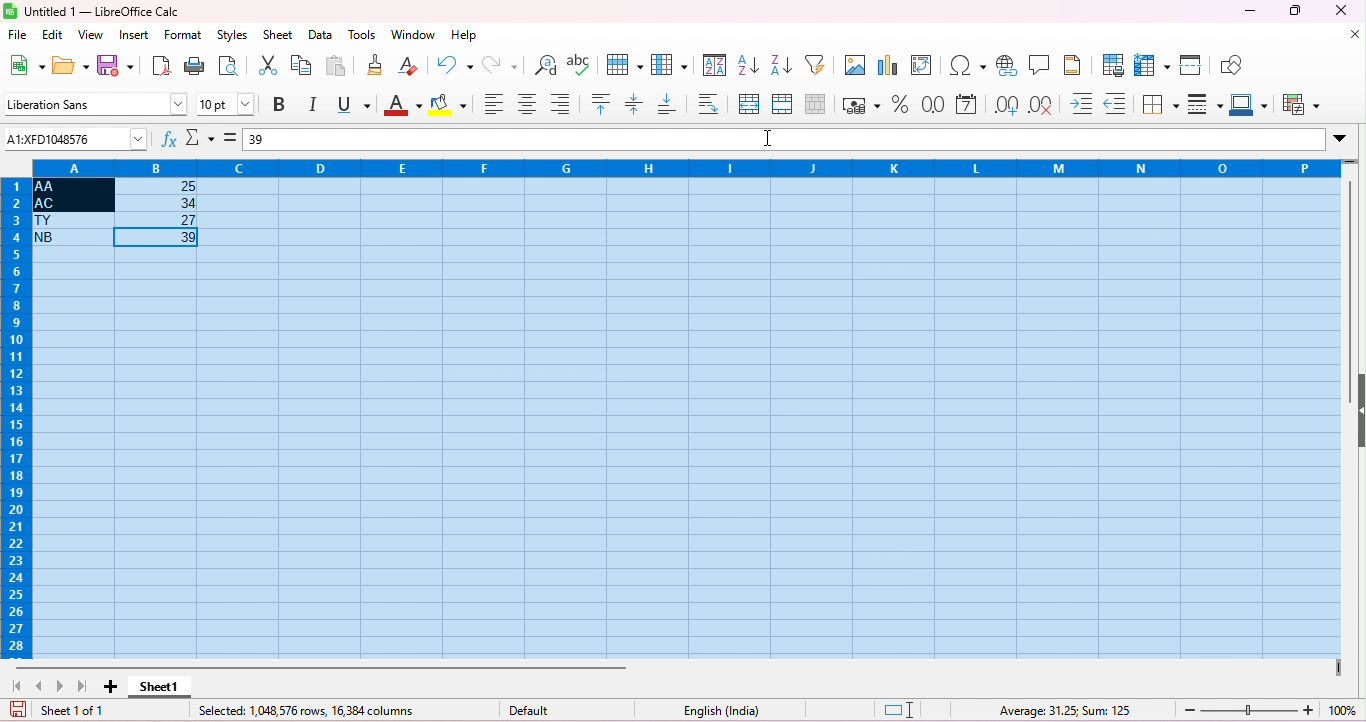 The height and width of the screenshot is (722, 1366). I want to click on hide, so click(1357, 409).